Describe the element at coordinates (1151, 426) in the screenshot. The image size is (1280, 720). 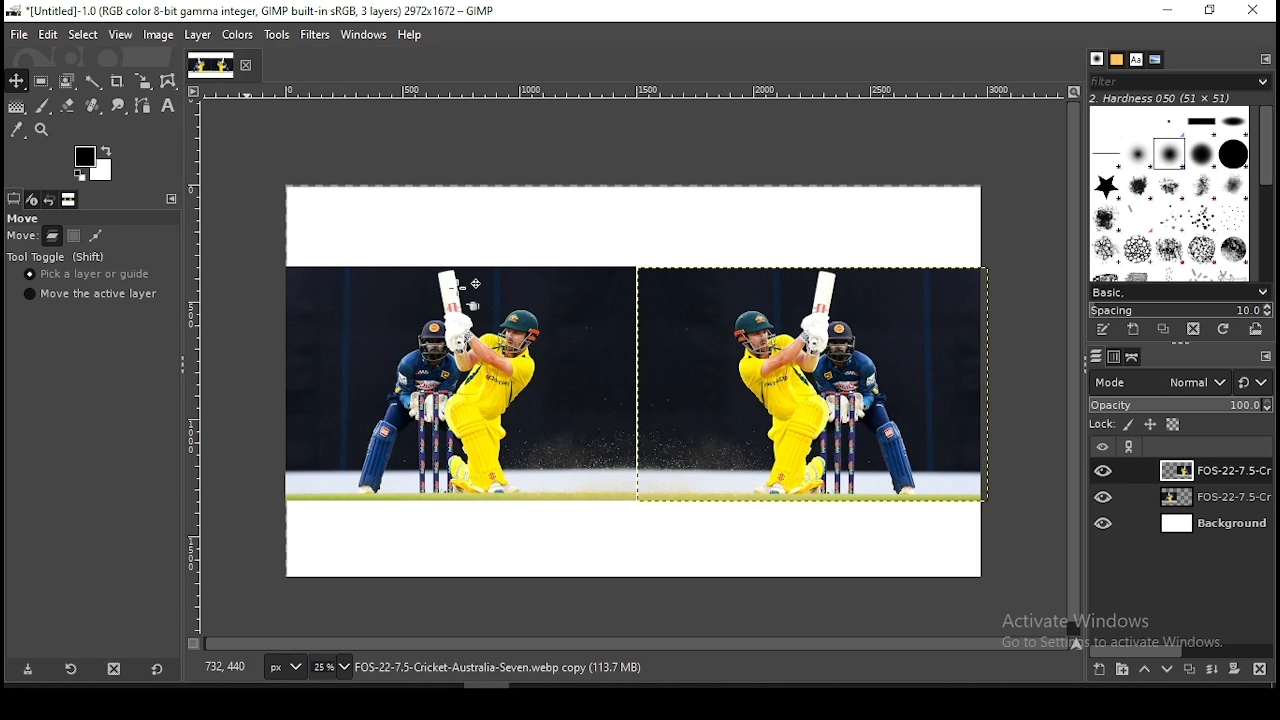
I see `lock size and position` at that location.